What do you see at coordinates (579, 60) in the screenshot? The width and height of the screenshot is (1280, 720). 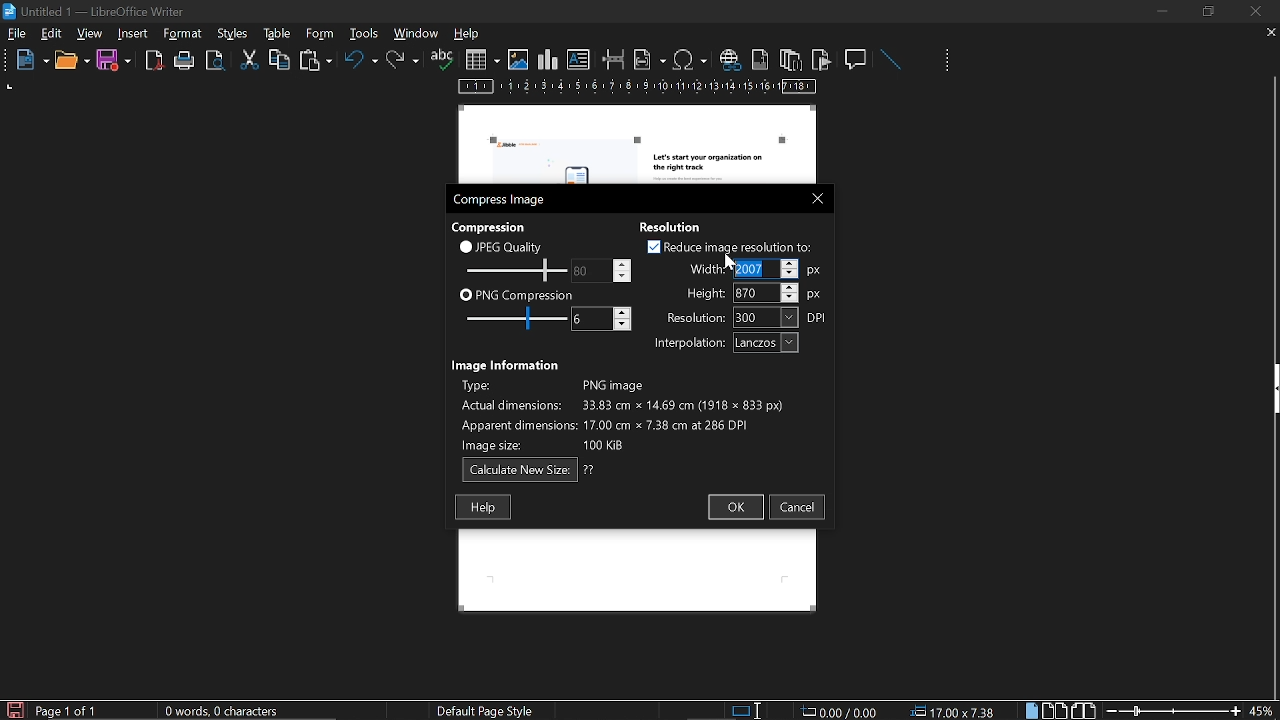 I see `insert text` at bounding box center [579, 60].